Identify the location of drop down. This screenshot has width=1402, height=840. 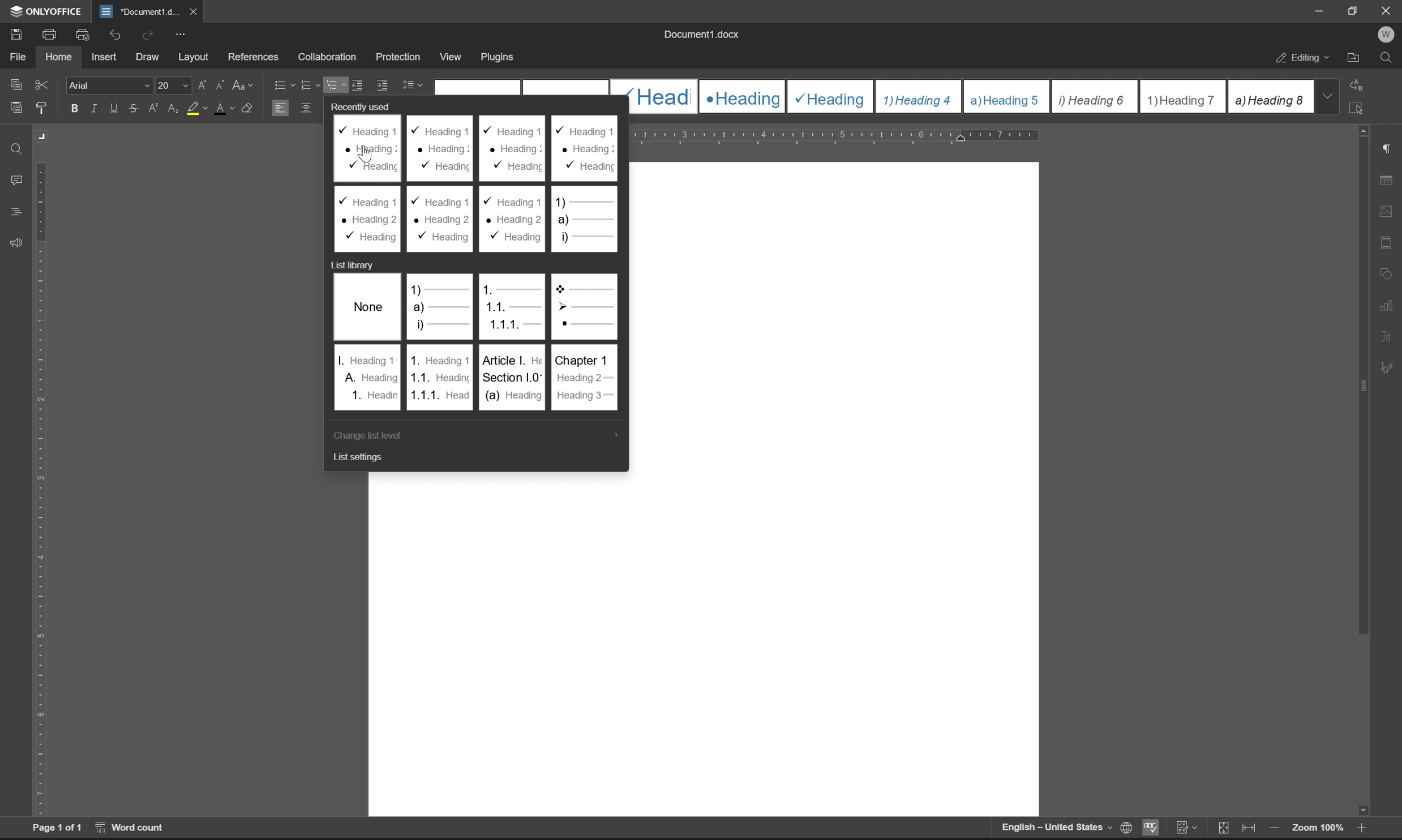
(1327, 96).